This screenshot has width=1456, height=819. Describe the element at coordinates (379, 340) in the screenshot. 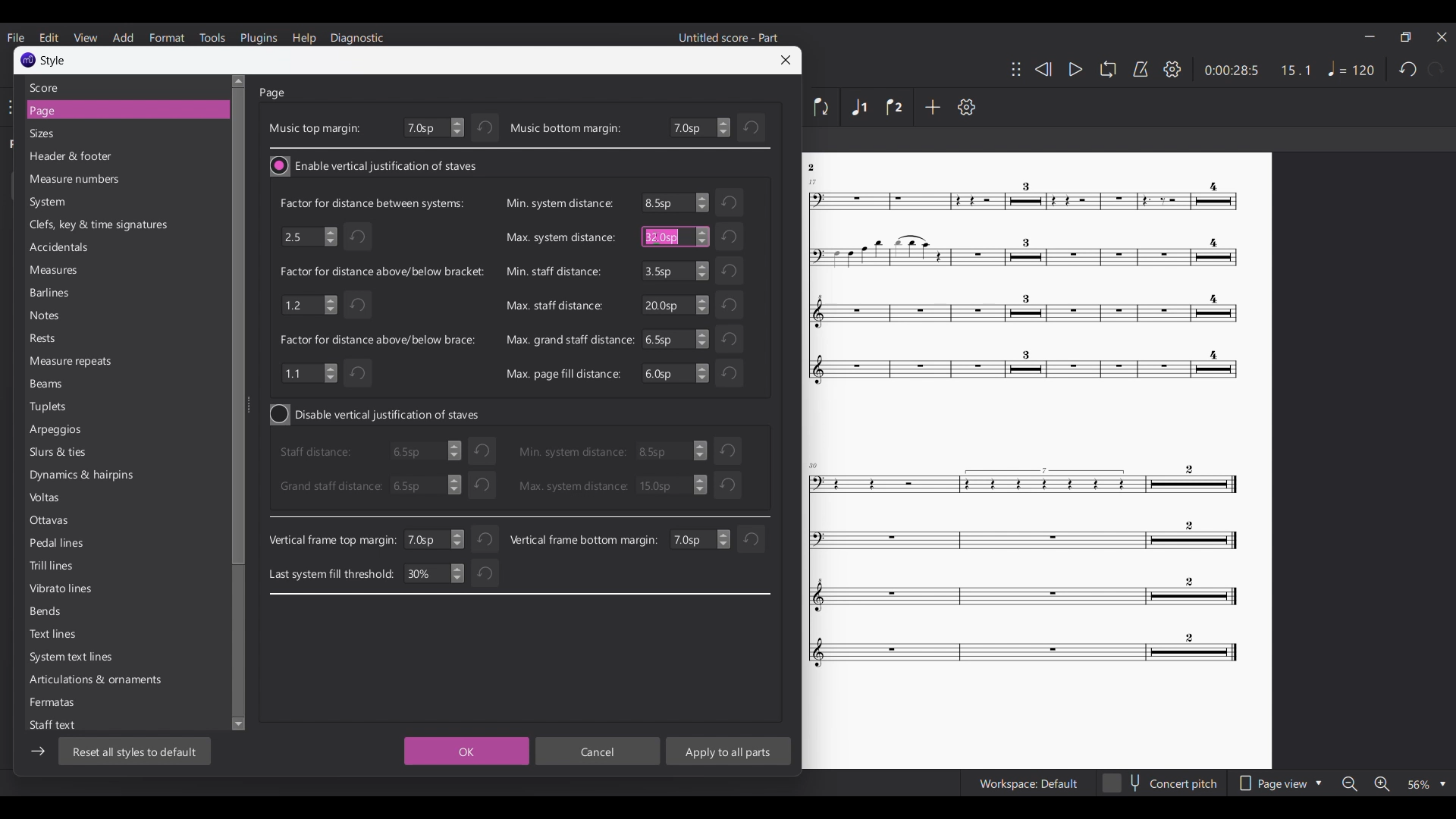

I see `Indicates factor for distance above/below brace` at that location.